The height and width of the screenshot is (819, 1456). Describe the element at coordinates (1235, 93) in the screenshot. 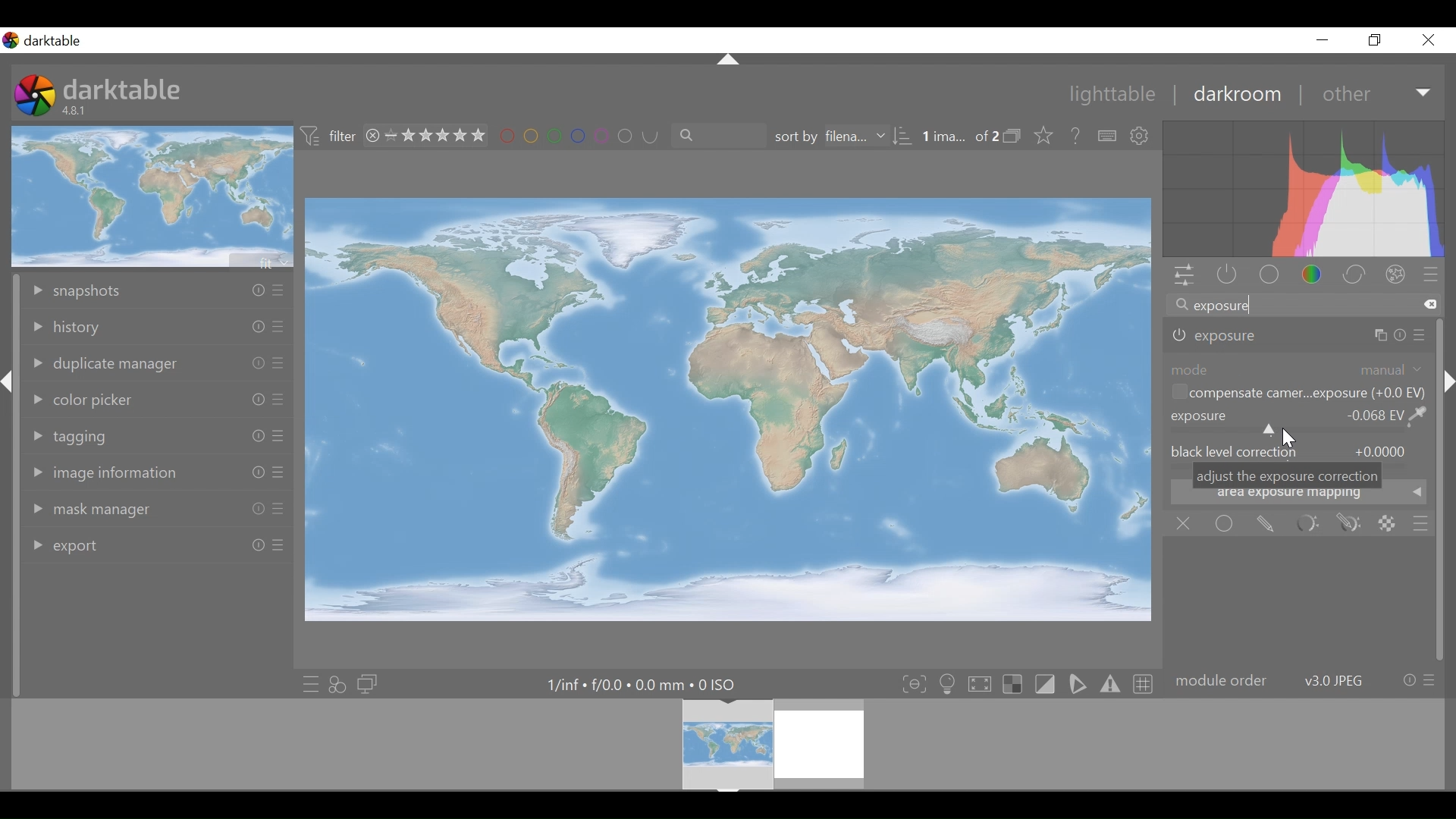

I see `darkroom` at that location.